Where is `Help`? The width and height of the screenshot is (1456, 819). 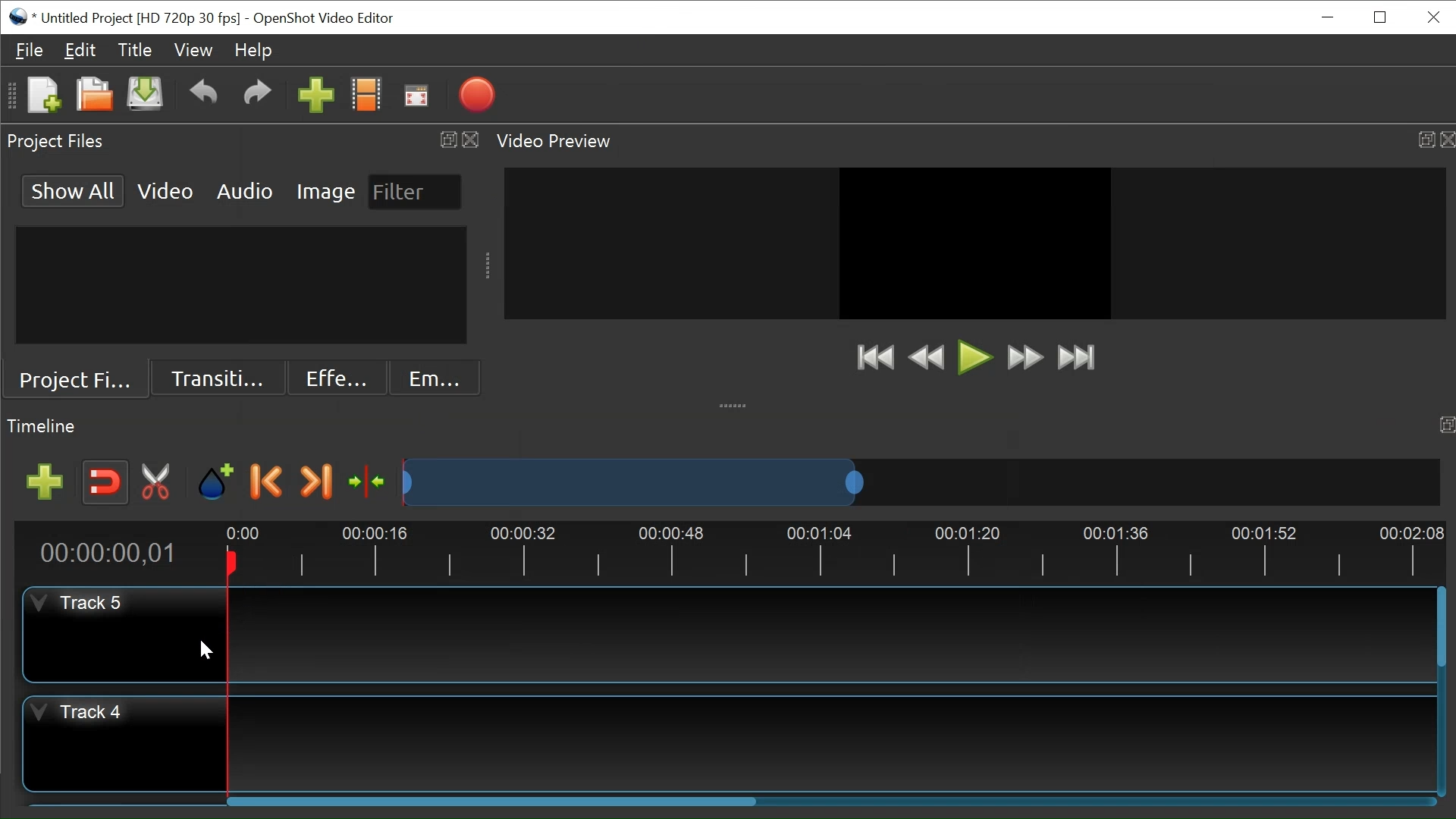
Help is located at coordinates (253, 50).